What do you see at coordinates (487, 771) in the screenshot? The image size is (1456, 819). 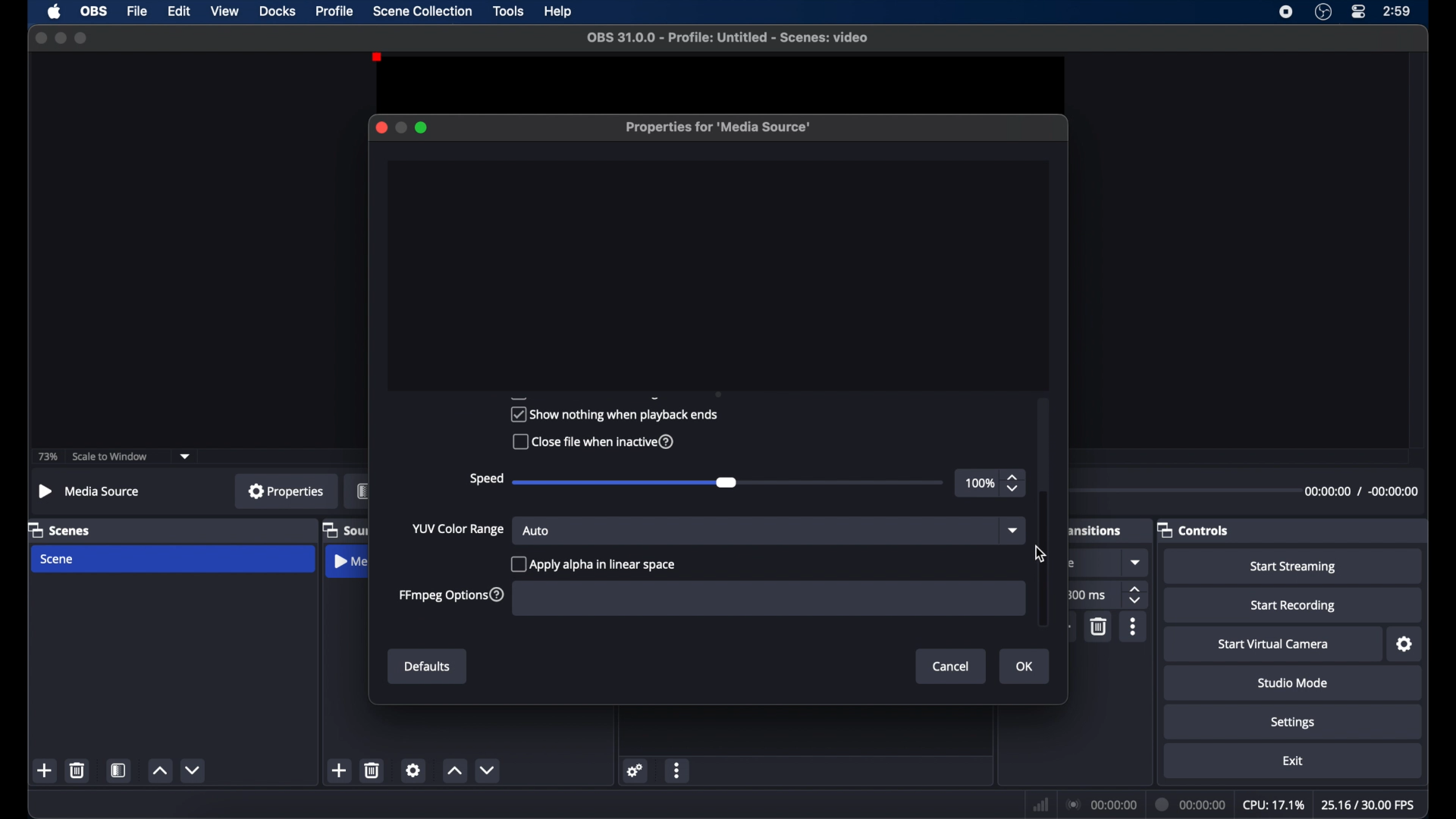 I see `decrement` at bounding box center [487, 771].